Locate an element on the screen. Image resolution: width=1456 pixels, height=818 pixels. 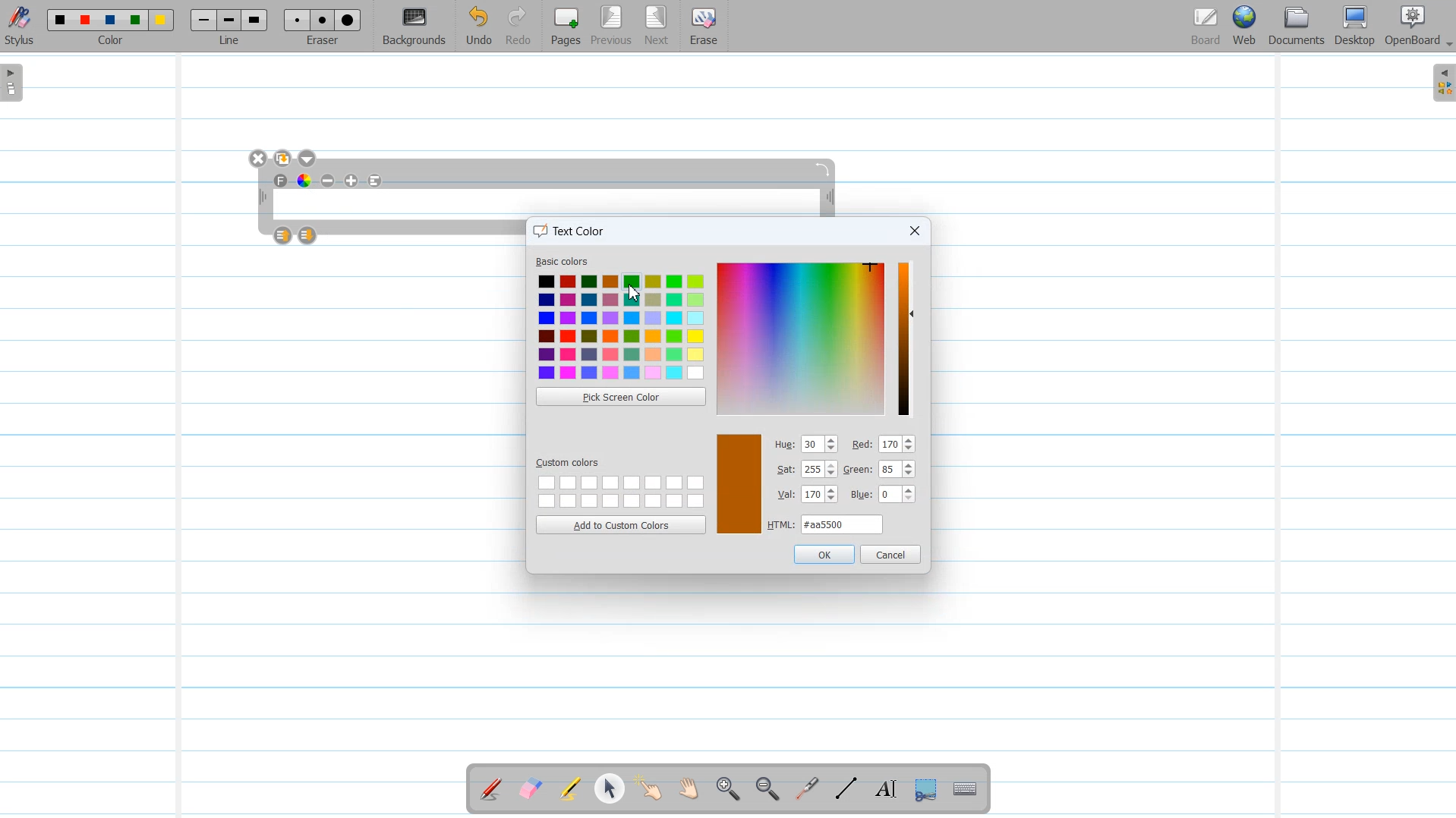
Text Colors is located at coordinates (621, 327).